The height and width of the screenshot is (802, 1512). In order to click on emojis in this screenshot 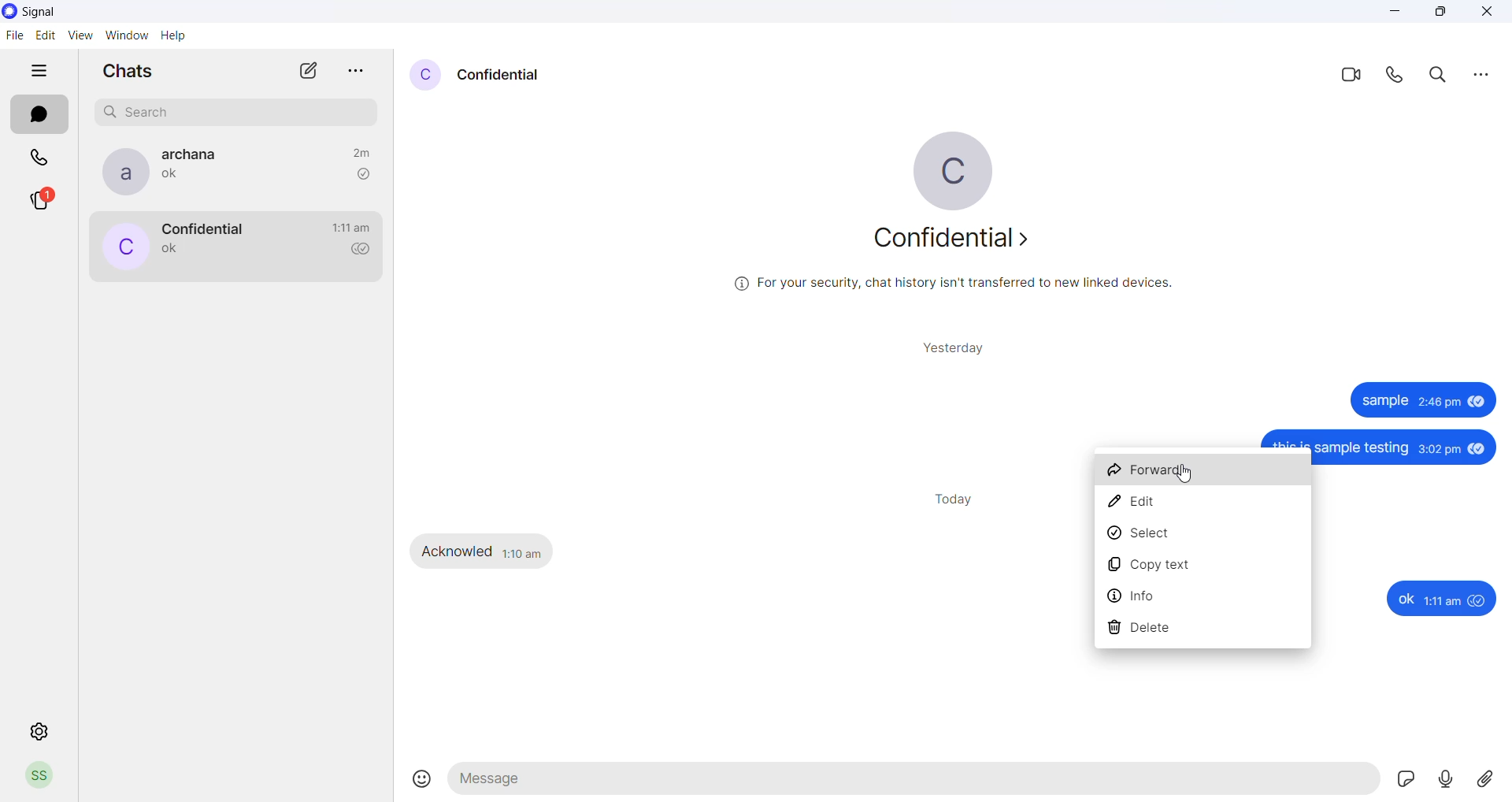, I will do `click(423, 780)`.